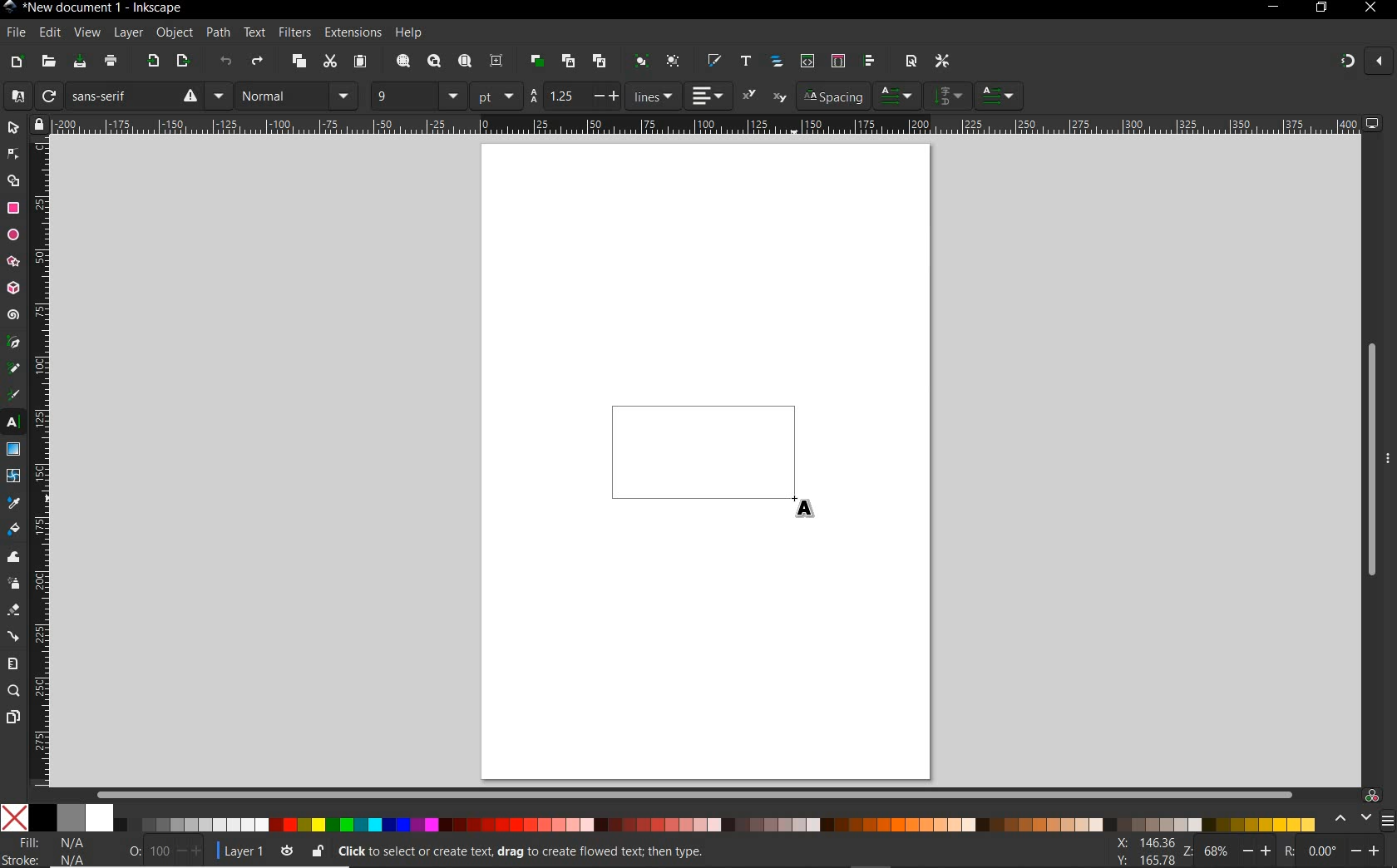  Describe the element at coordinates (1322, 851) in the screenshot. I see `0` at that location.